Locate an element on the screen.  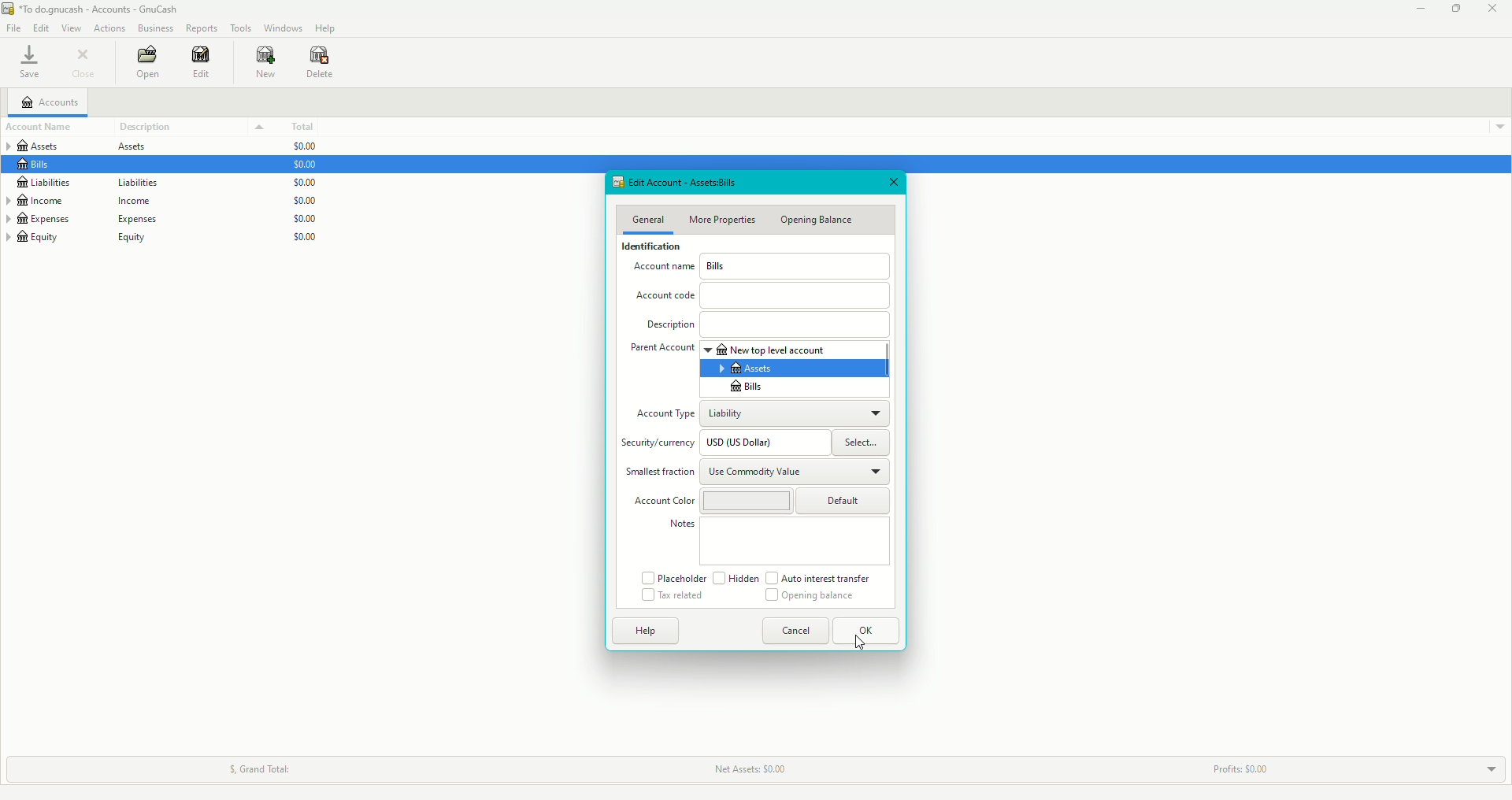
Description is located at coordinates (192, 127).